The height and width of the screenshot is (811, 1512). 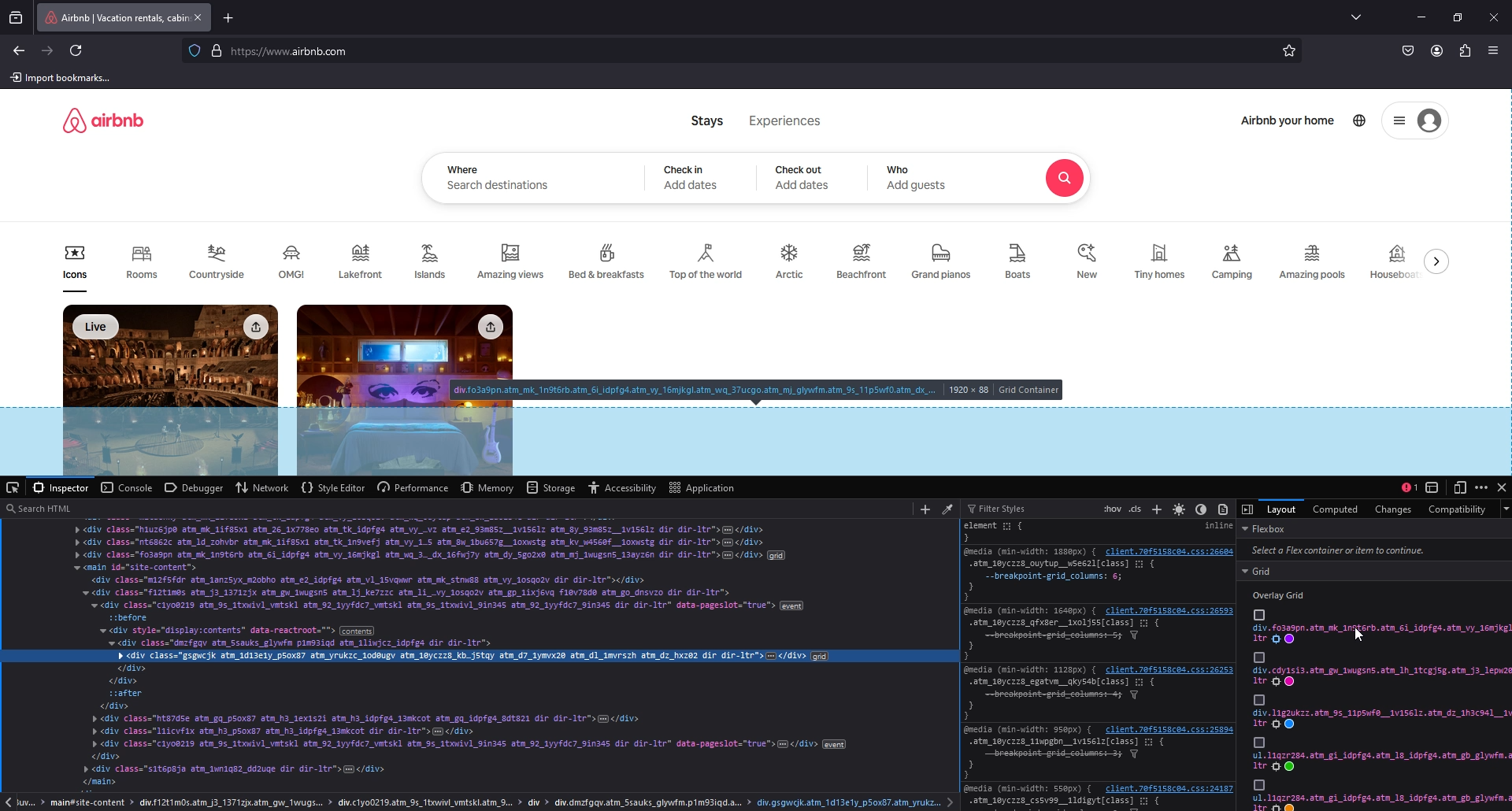 I want to click on favourites, so click(x=1290, y=52).